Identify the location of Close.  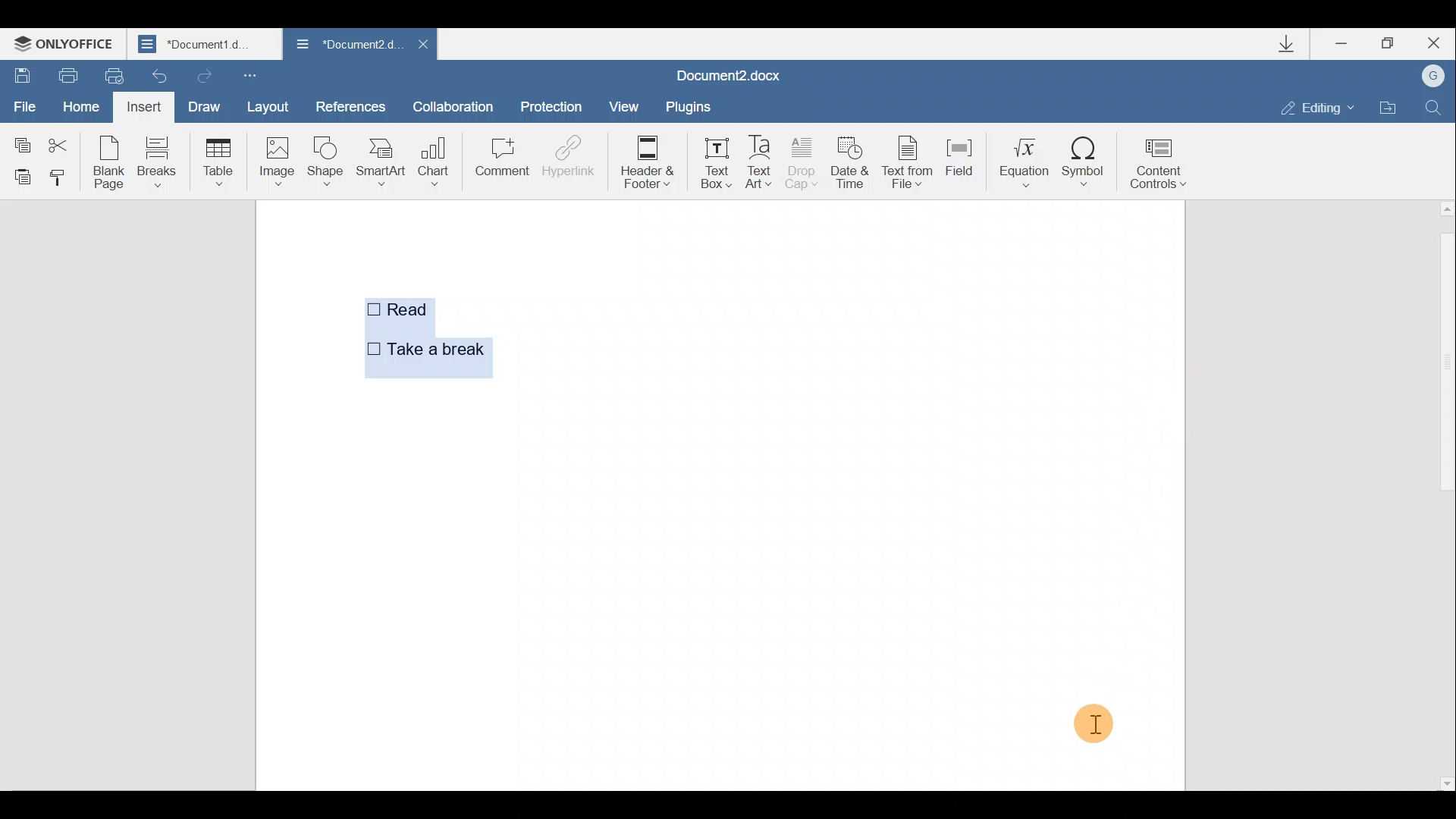
(423, 44).